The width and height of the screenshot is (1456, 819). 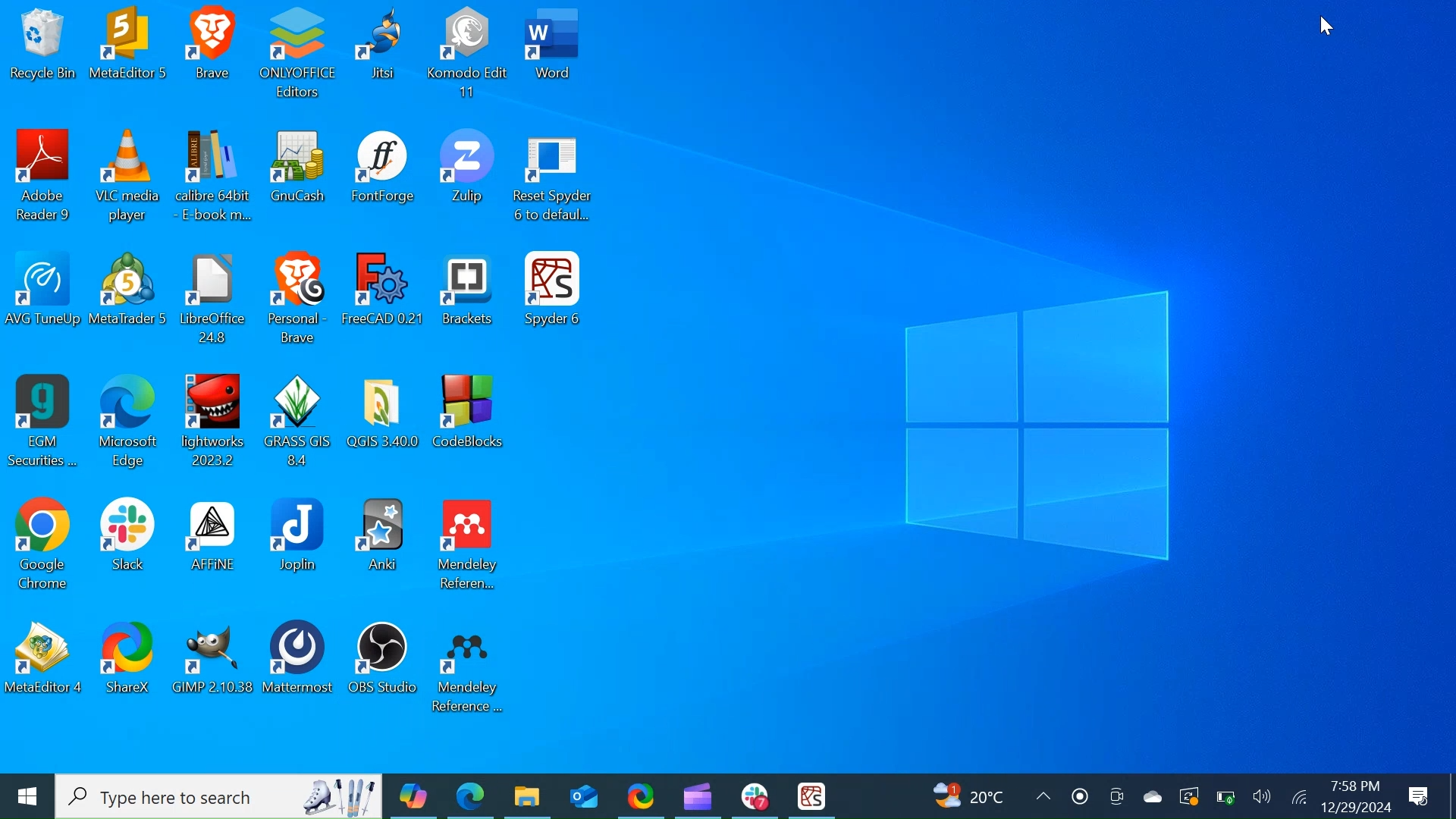 What do you see at coordinates (44, 297) in the screenshot?
I see `AVG TuneUp Desktop icon` at bounding box center [44, 297].